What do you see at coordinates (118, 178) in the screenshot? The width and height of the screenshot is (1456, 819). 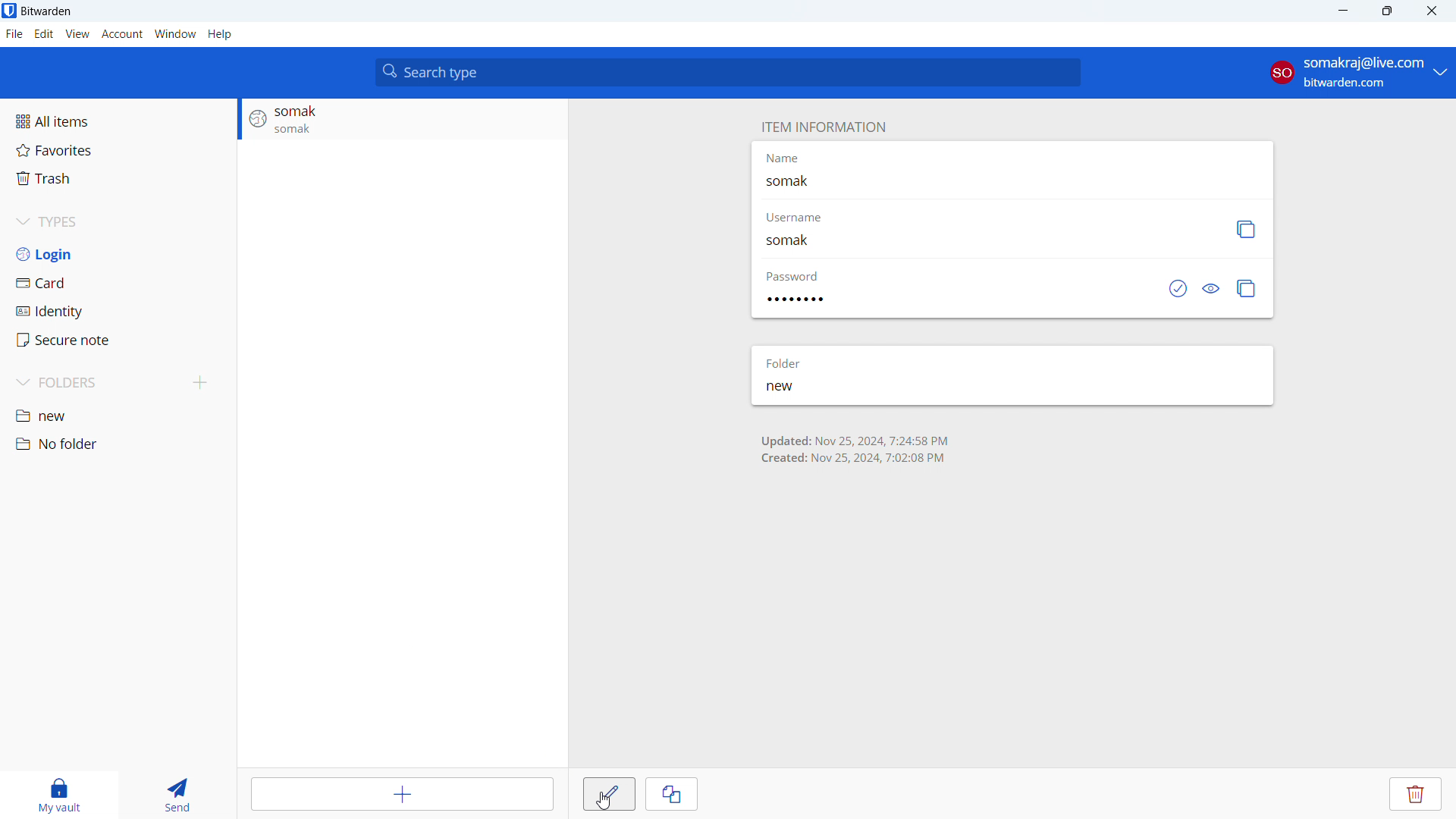 I see `trash` at bounding box center [118, 178].